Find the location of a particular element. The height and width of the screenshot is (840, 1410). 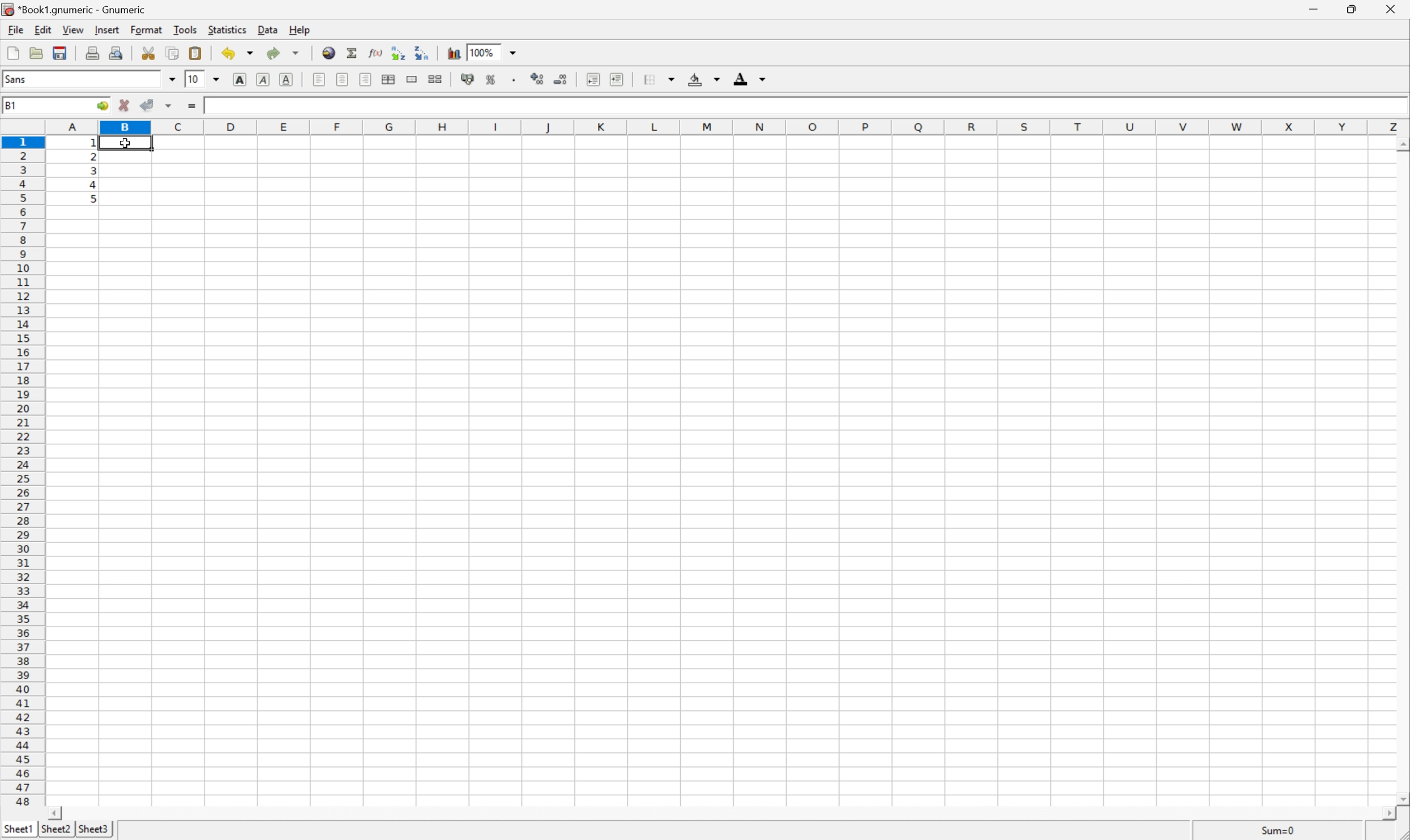

Column names is located at coordinates (727, 126).